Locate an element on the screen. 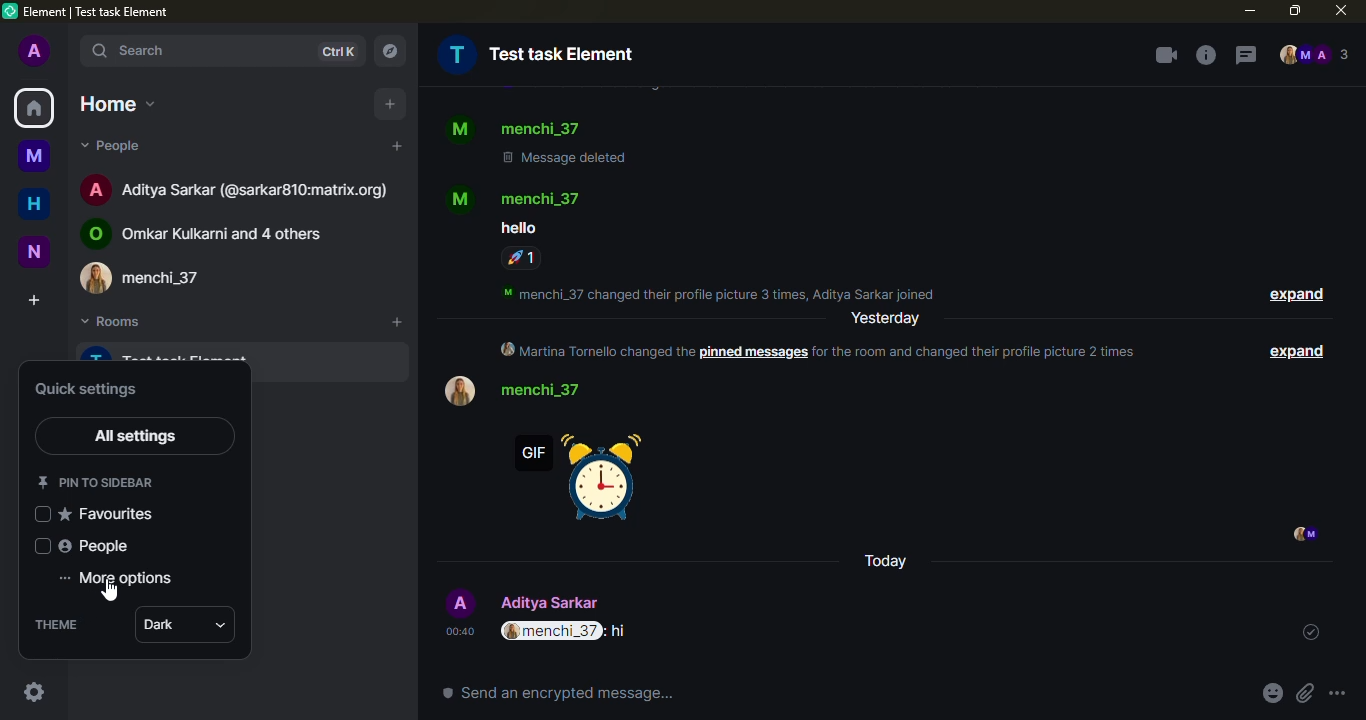  dark is located at coordinates (167, 626).